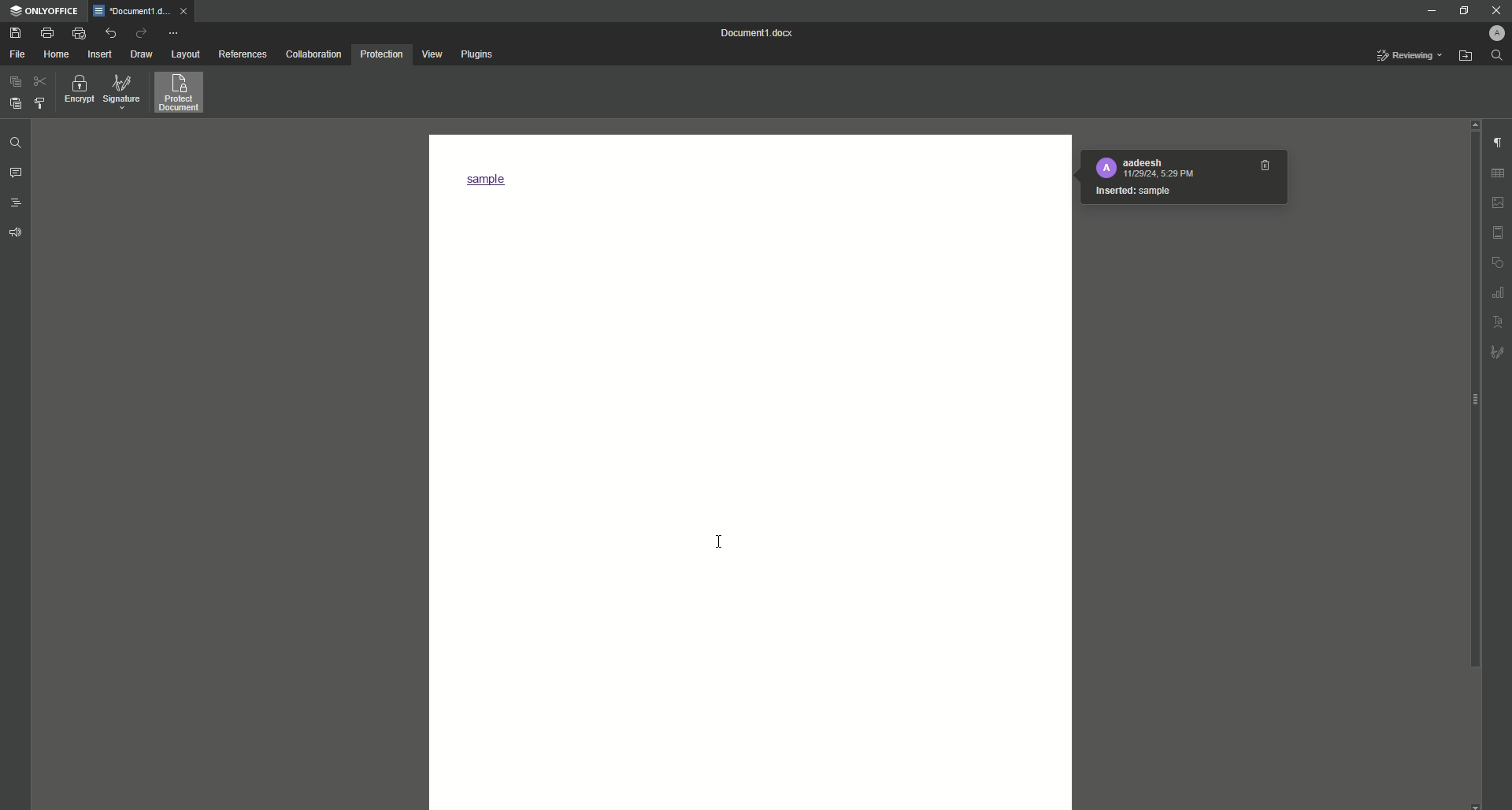 Image resolution: width=1512 pixels, height=810 pixels. I want to click on Draw, so click(143, 54).